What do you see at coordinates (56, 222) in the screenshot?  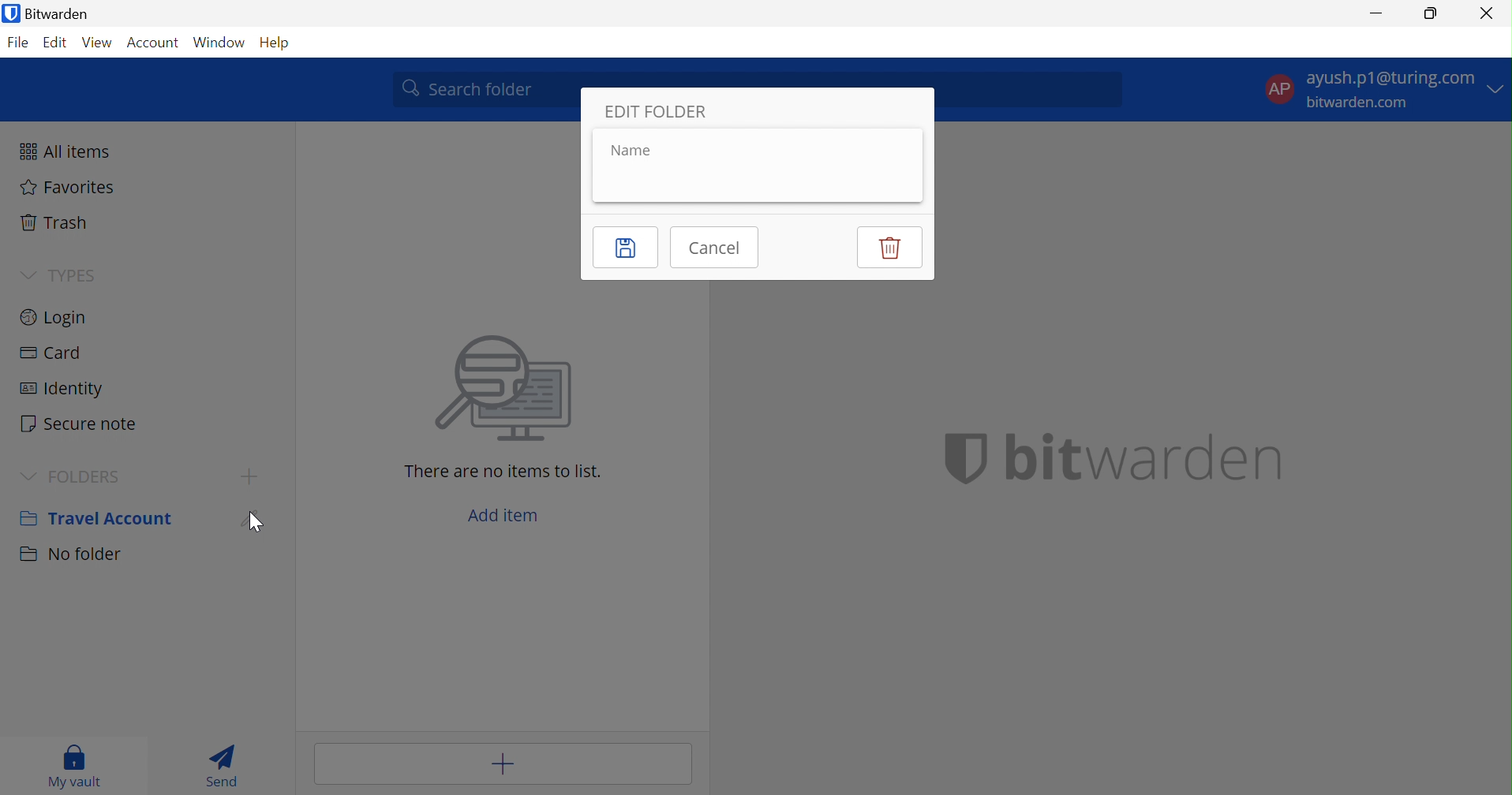 I see `Trash` at bounding box center [56, 222].